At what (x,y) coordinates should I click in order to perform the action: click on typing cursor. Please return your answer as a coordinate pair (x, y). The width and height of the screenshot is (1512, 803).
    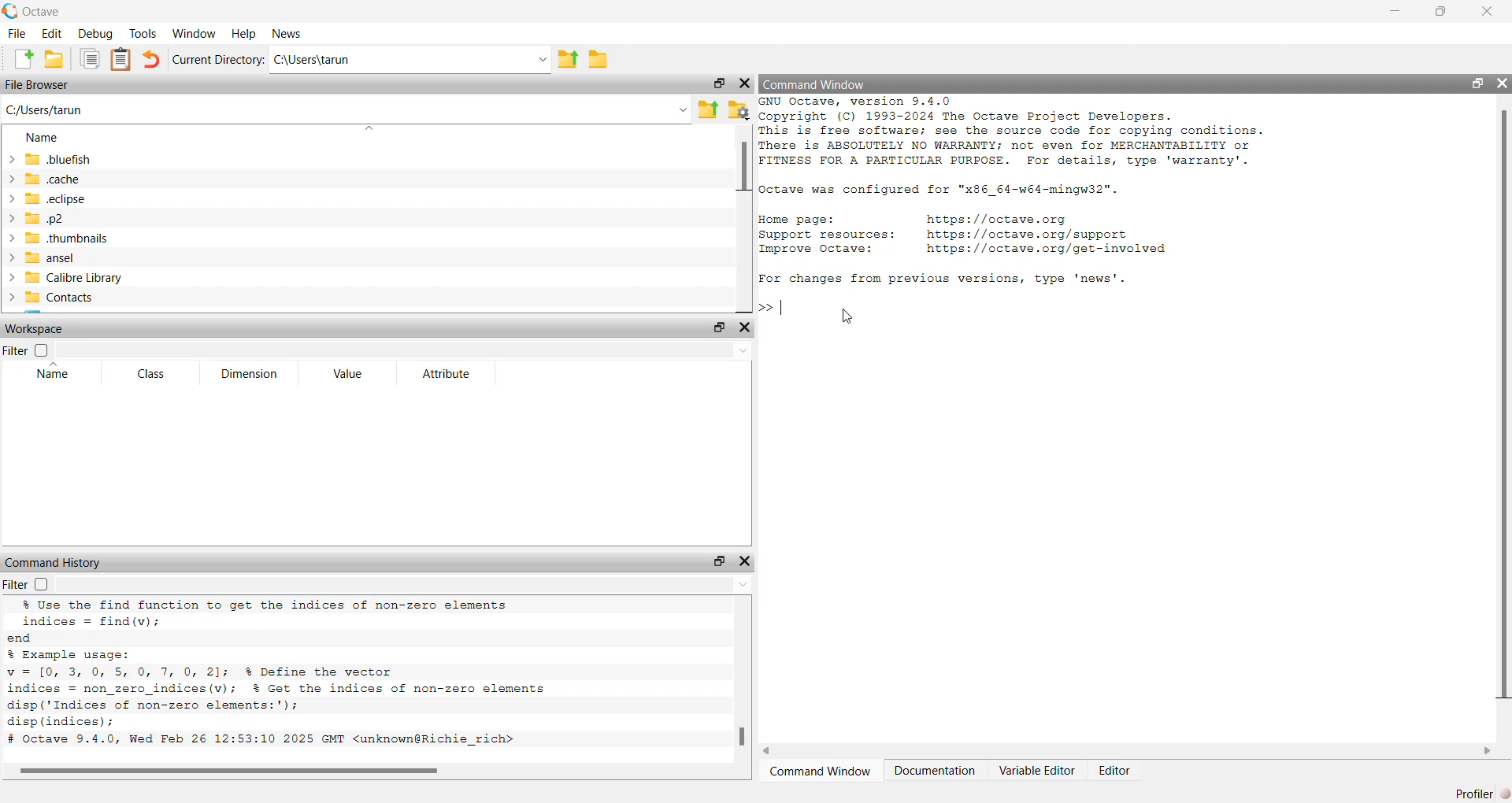
    Looking at the image, I should click on (776, 307).